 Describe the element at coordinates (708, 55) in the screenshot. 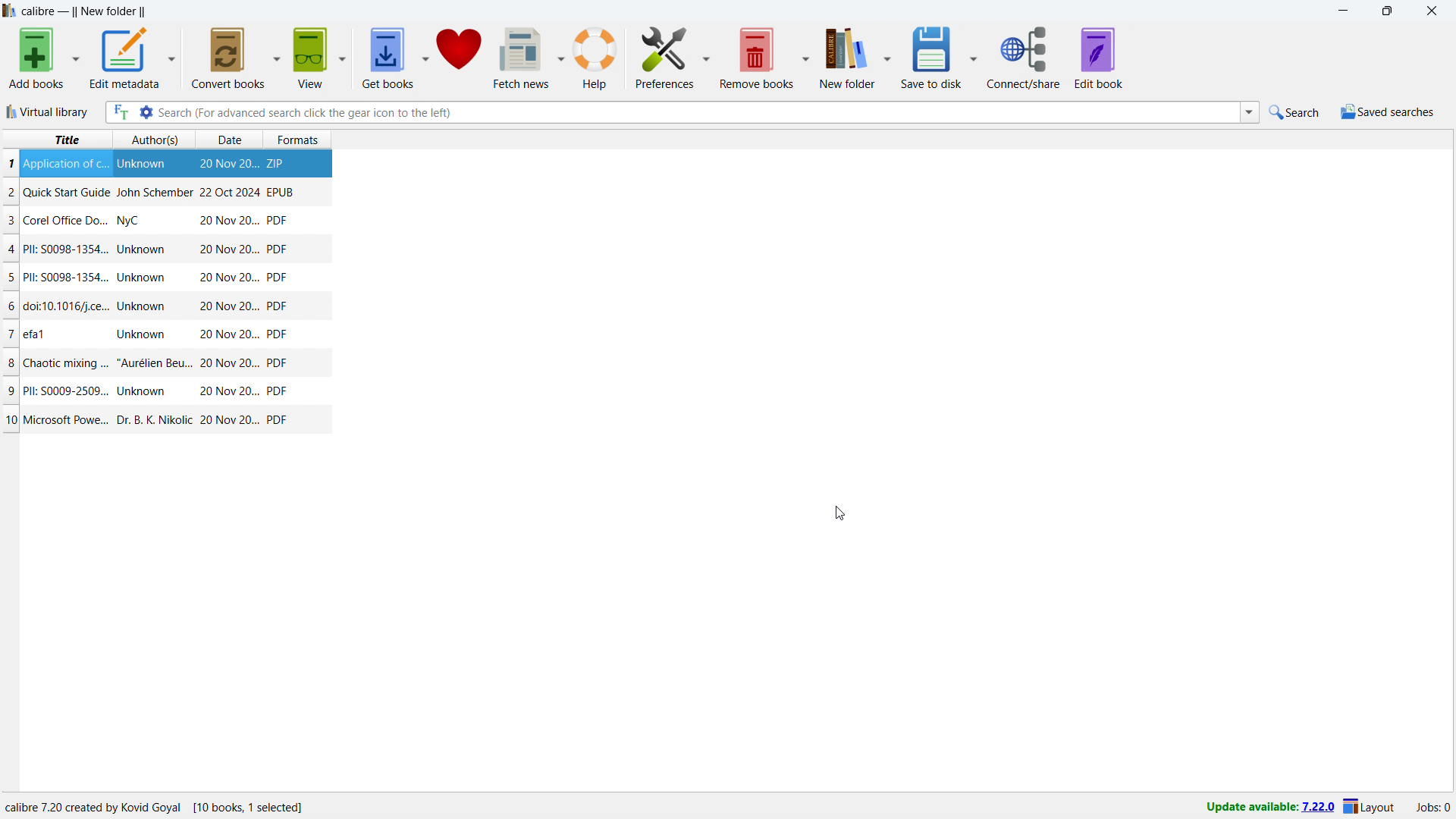

I see `preferences options` at that location.